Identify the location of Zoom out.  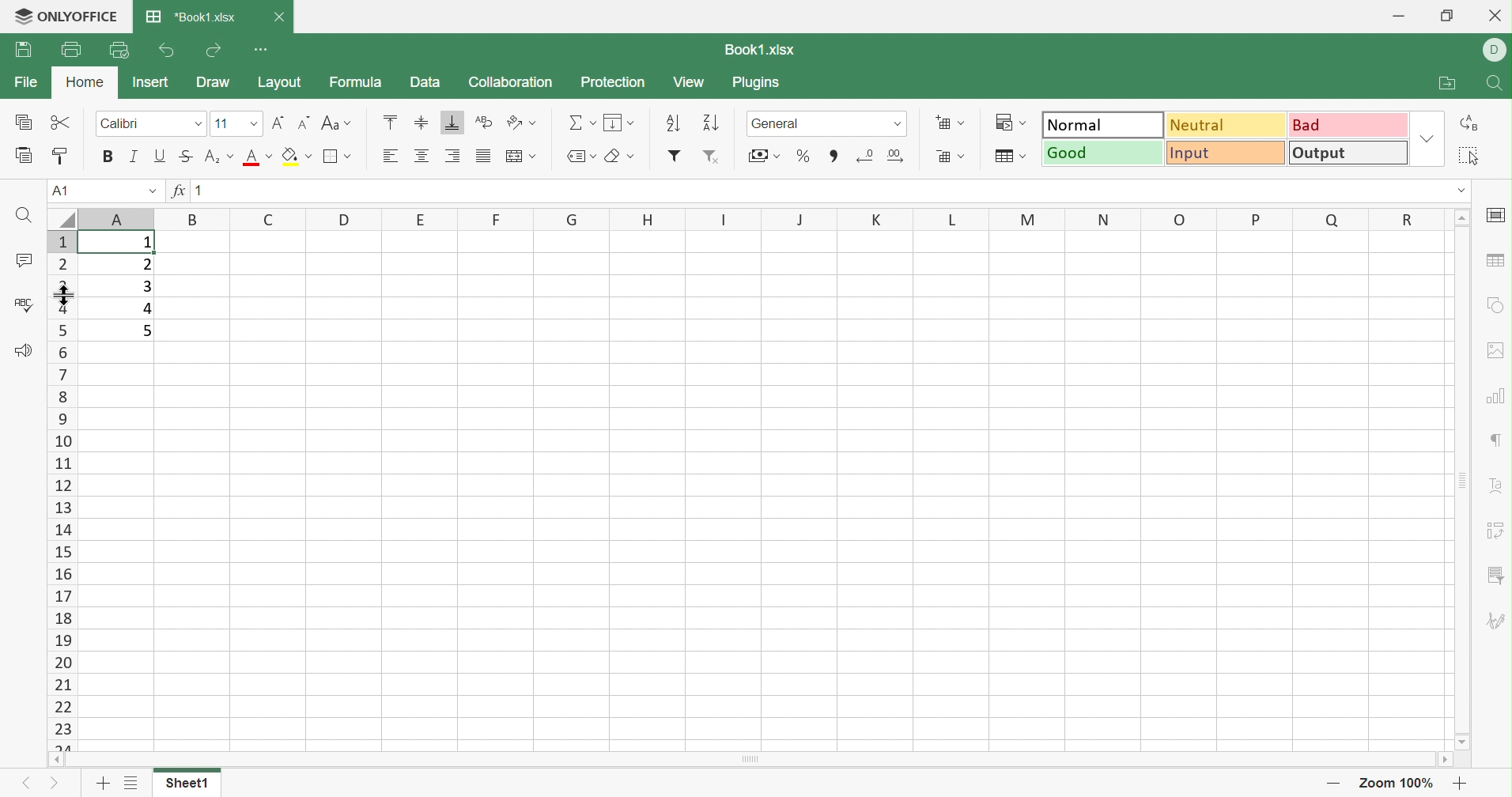
(1332, 784).